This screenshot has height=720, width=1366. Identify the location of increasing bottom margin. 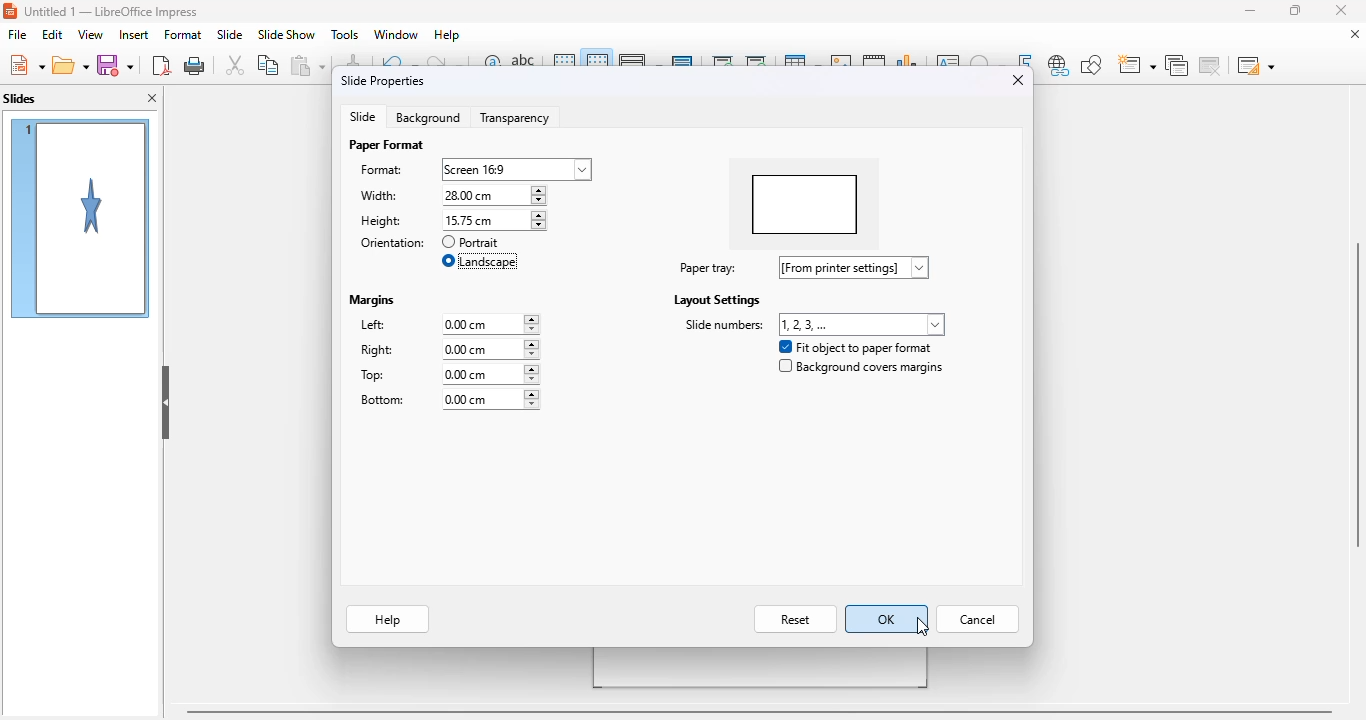
(529, 394).